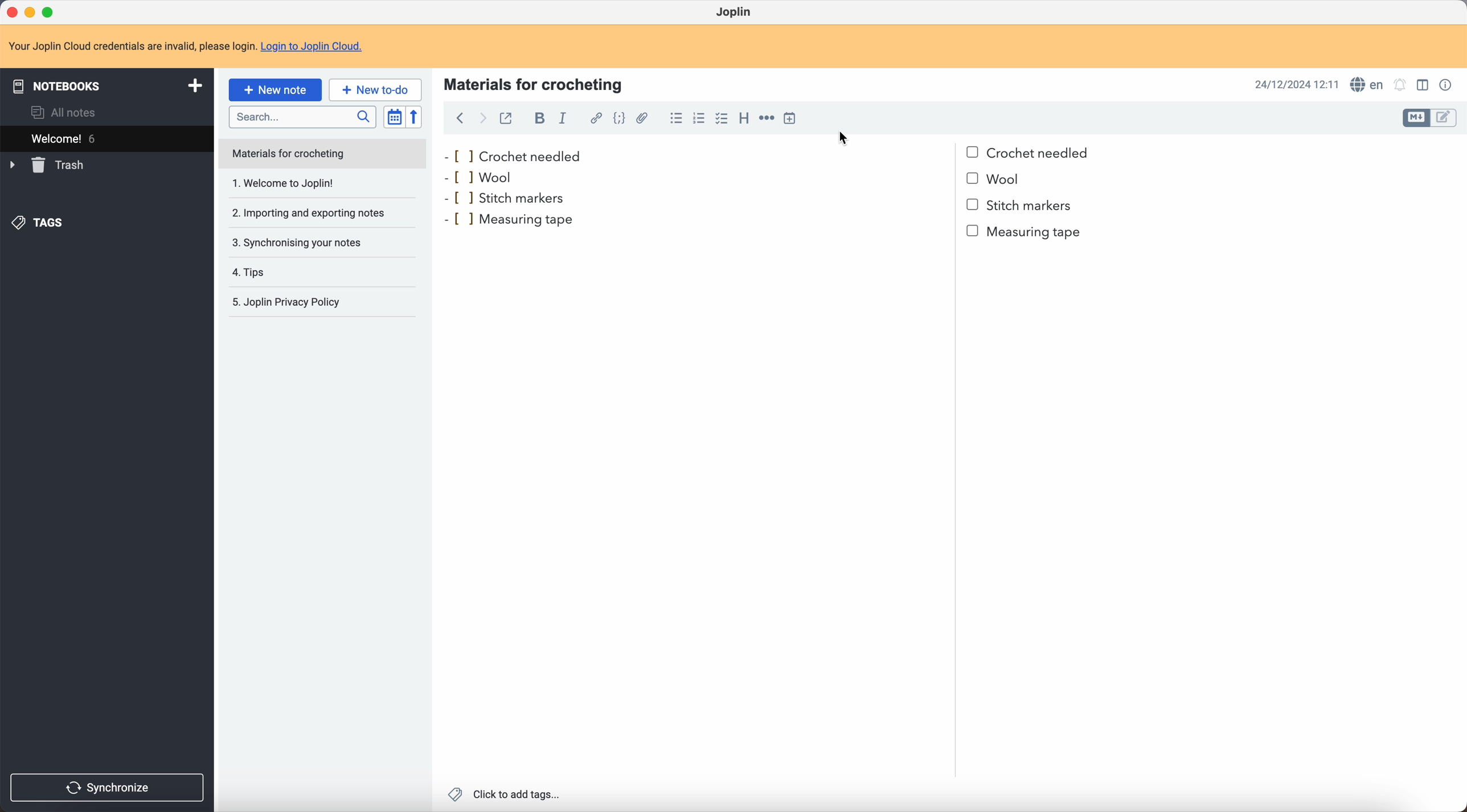 The width and height of the screenshot is (1467, 812). What do you see at coordinates (792, 118) in the screenshot?
I see `insert time` at bounding box center [792, 118].